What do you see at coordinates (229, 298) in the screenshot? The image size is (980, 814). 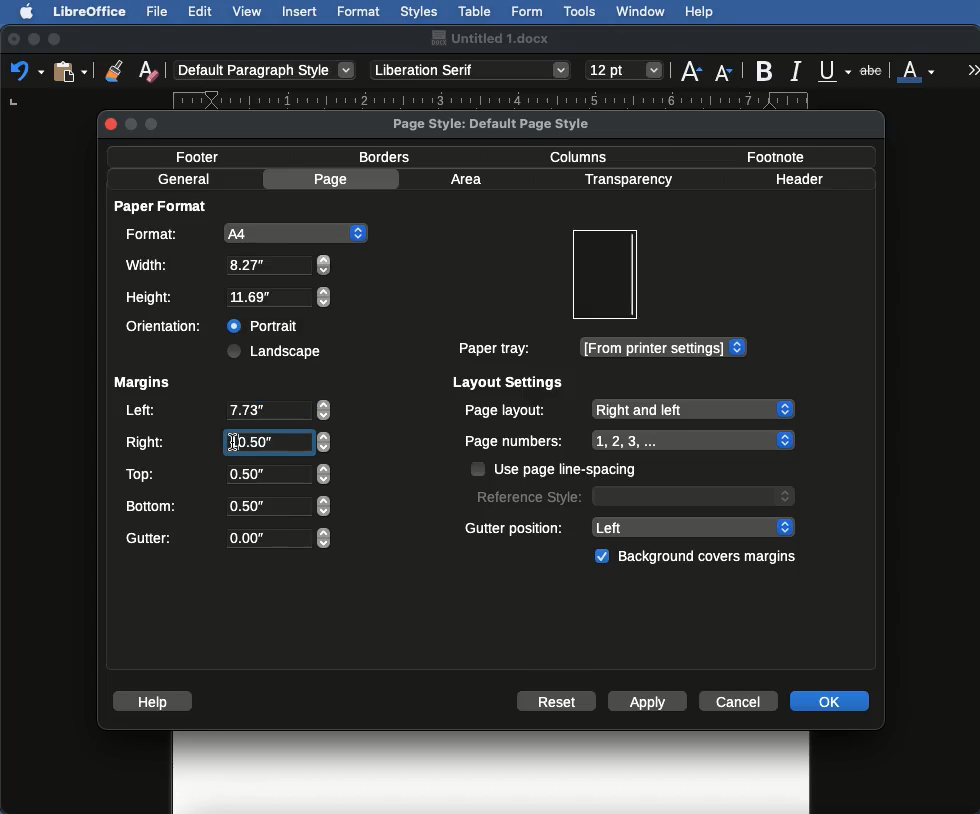 I see `Height` at bounding box center [229, 298].